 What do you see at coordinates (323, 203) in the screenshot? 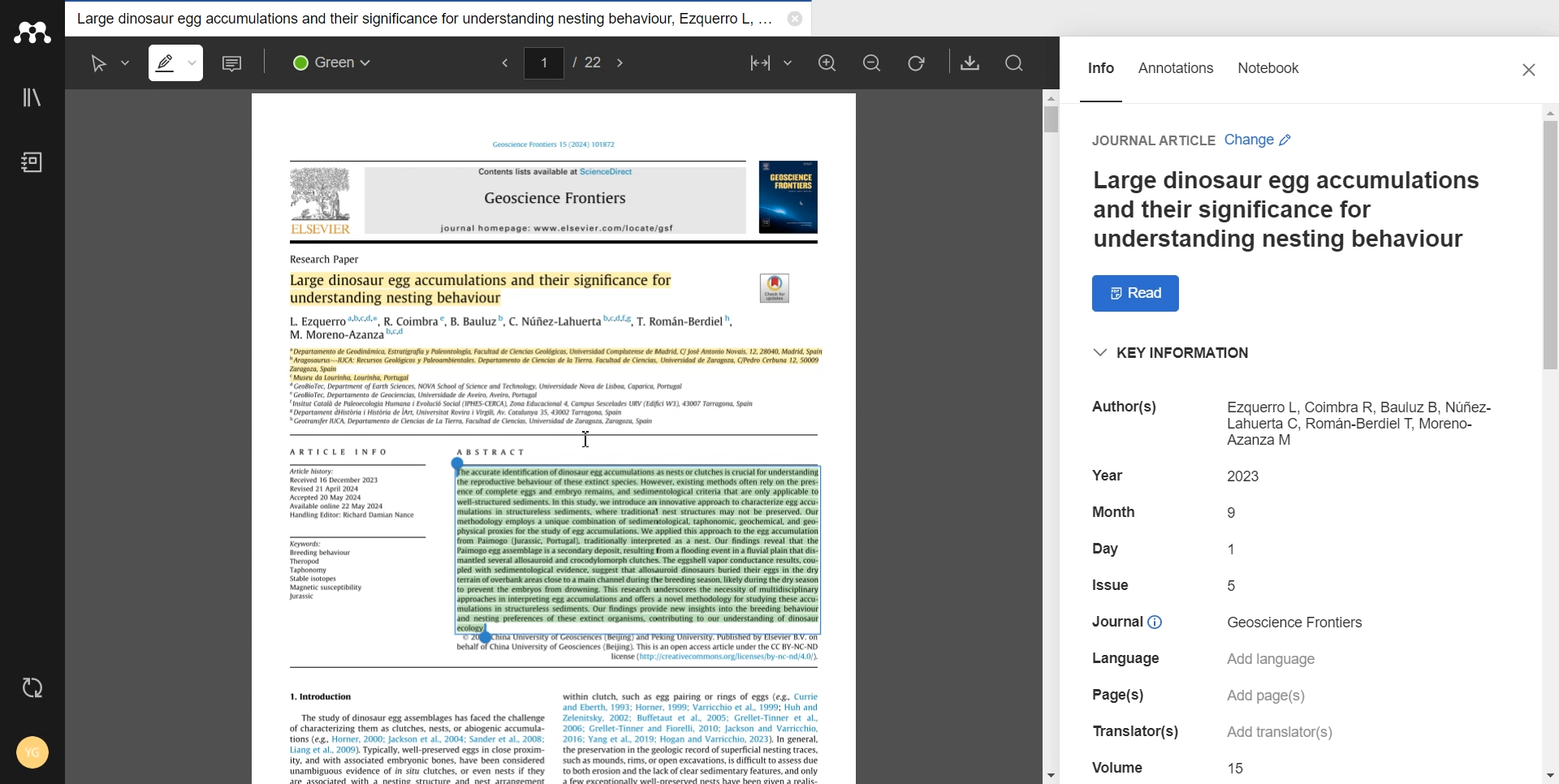
I see `image` at bounding box center [323, 203].